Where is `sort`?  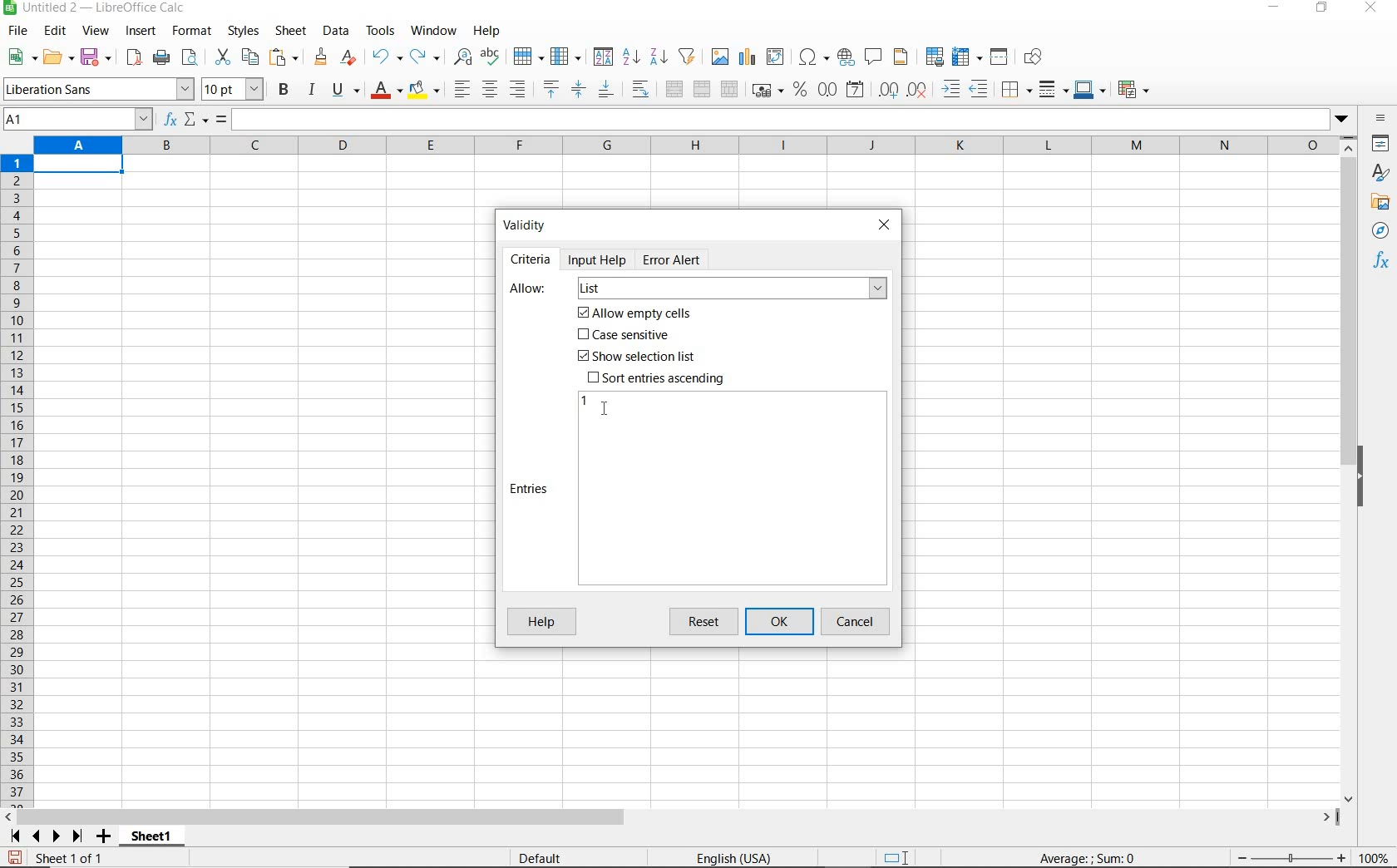 sort is located at coordinates (603, 58).